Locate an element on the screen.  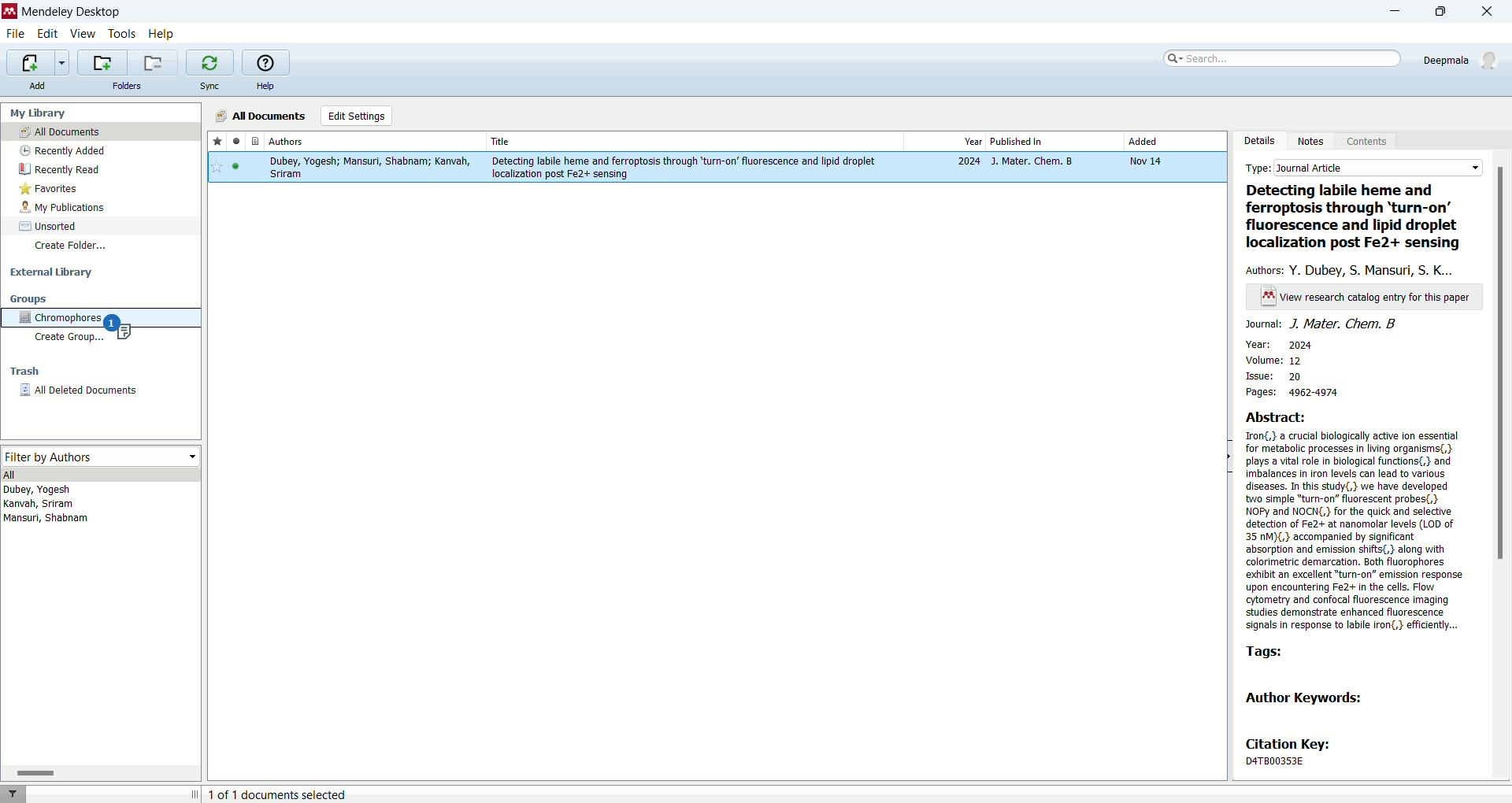
citation key:  is located at coordinates (1295, 744).